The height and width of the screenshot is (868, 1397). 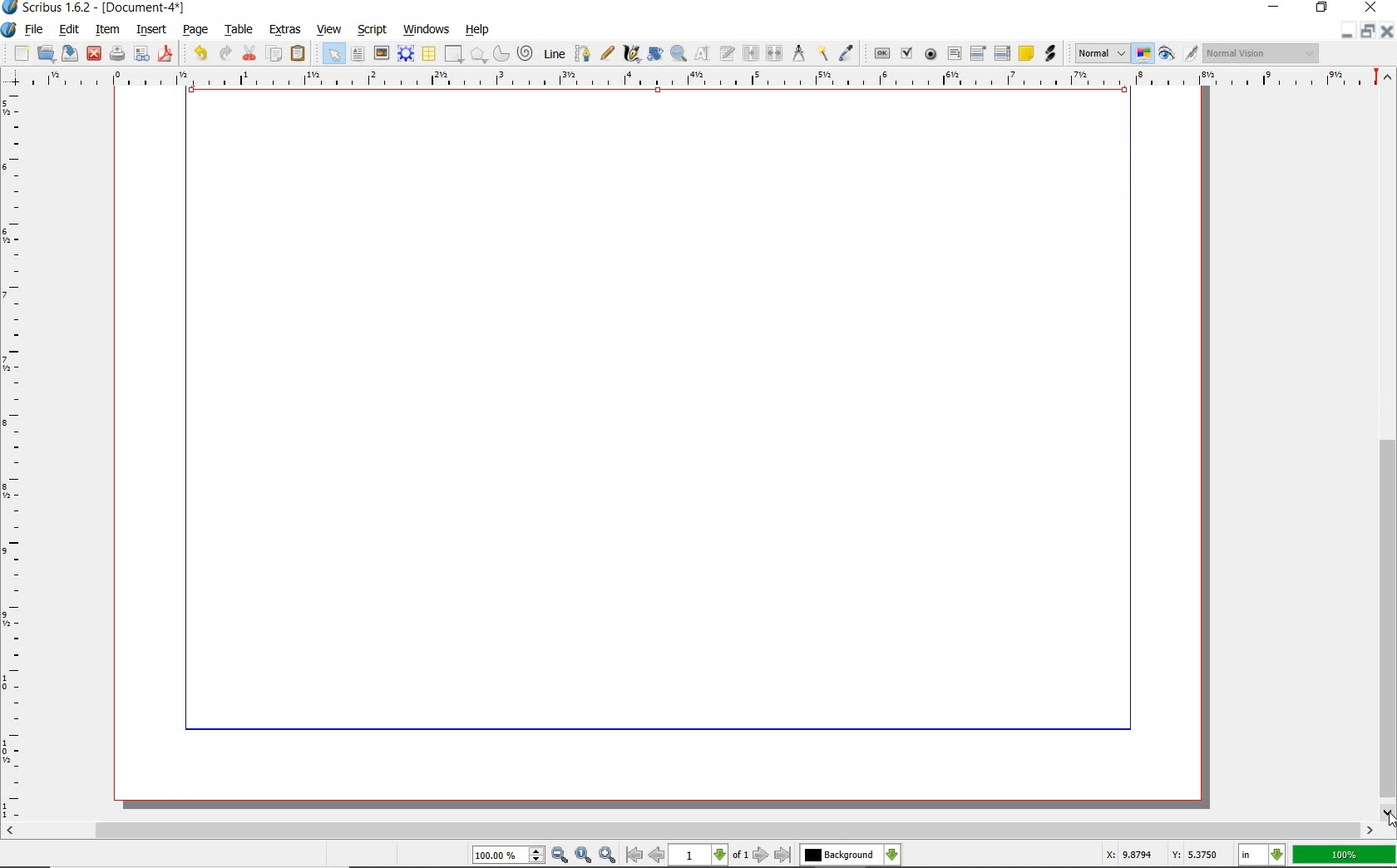 I want to click on pdf list box, so click(x=1002, y=52).